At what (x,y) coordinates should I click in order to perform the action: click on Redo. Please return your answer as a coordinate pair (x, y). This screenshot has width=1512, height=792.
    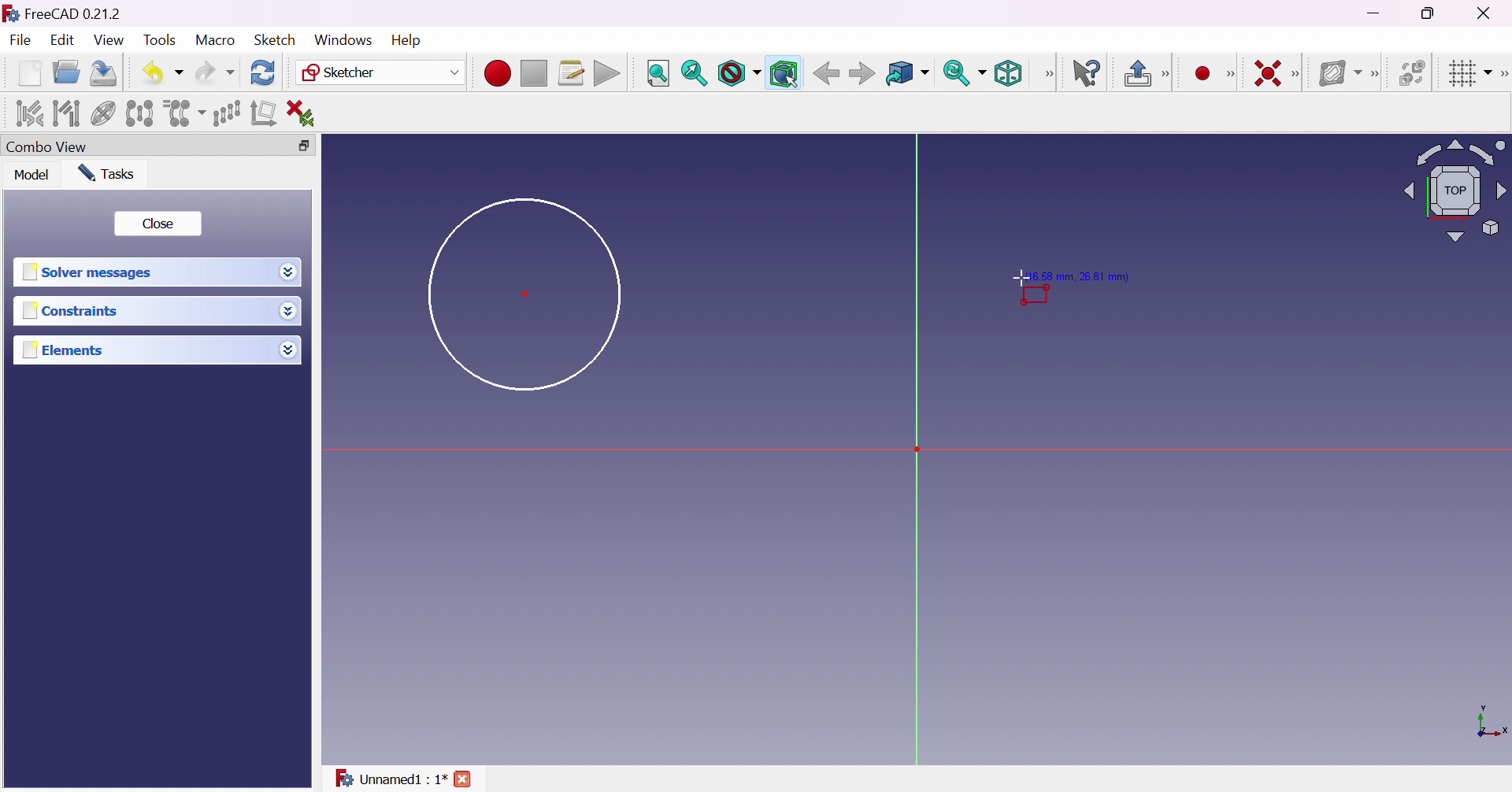
    Looking at the image, I should click on (215, 72).